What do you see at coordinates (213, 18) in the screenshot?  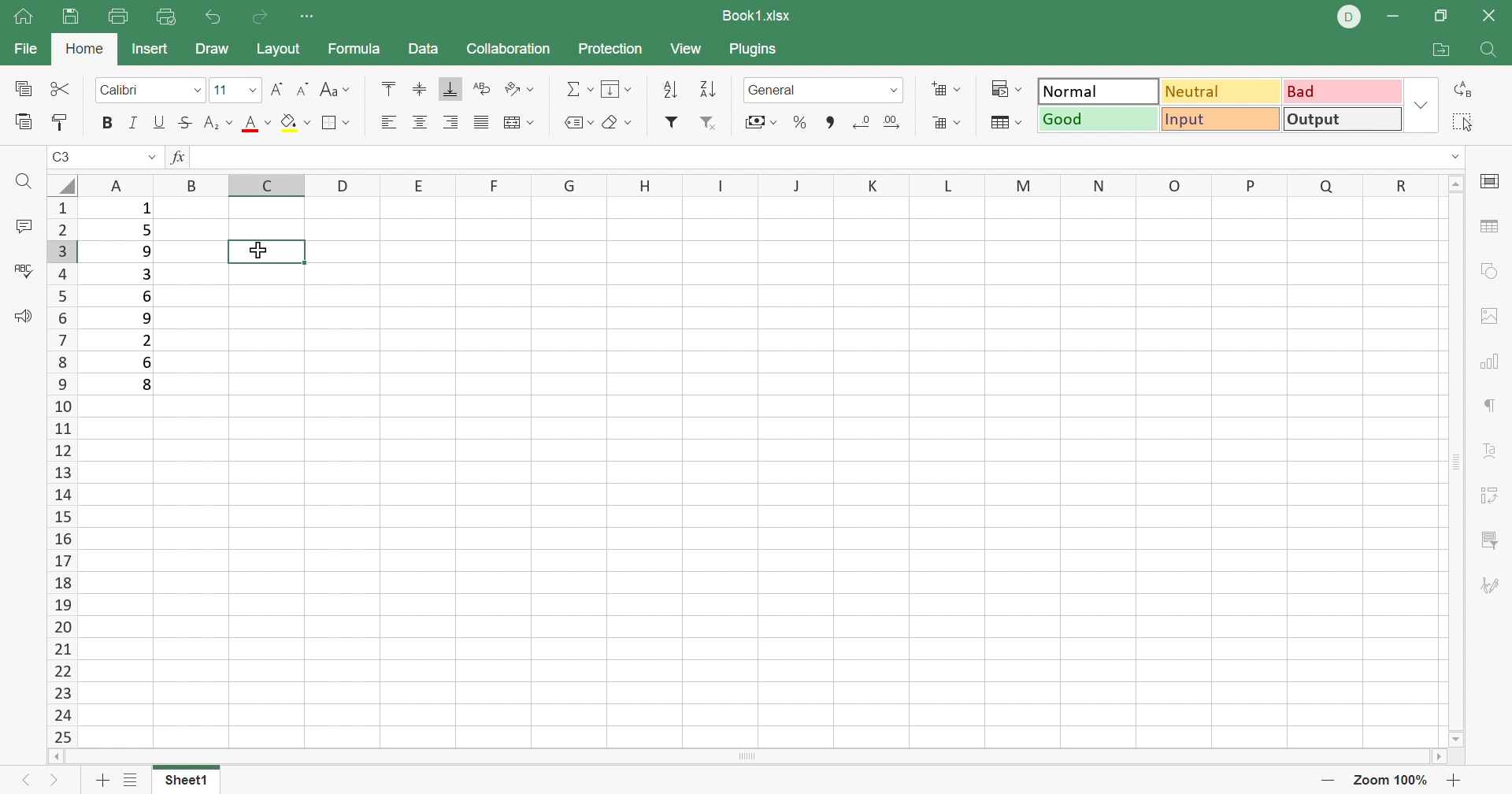 I see `Undo` at bounding box center [213, 18].